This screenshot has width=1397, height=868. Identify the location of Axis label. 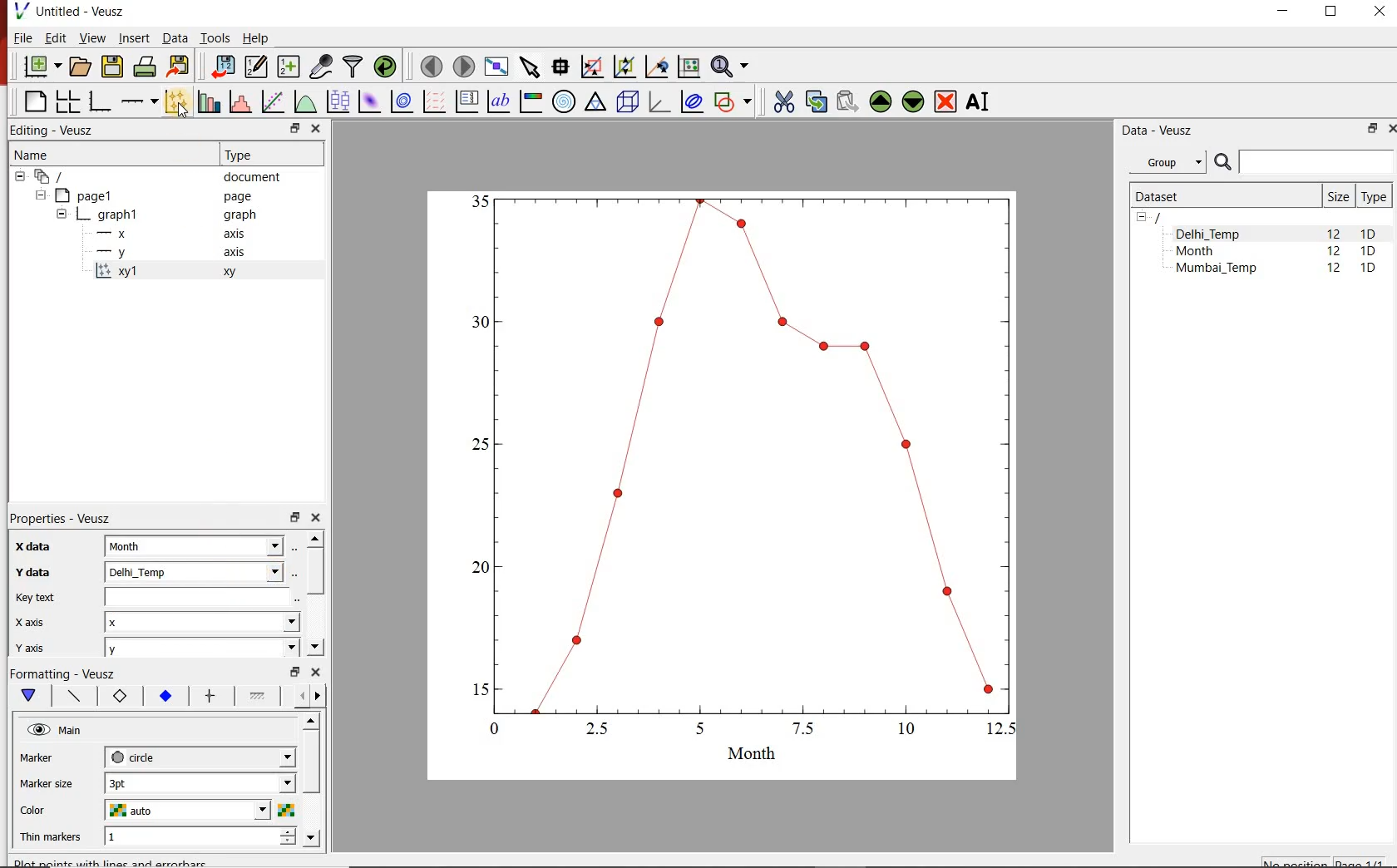
(116, 696).